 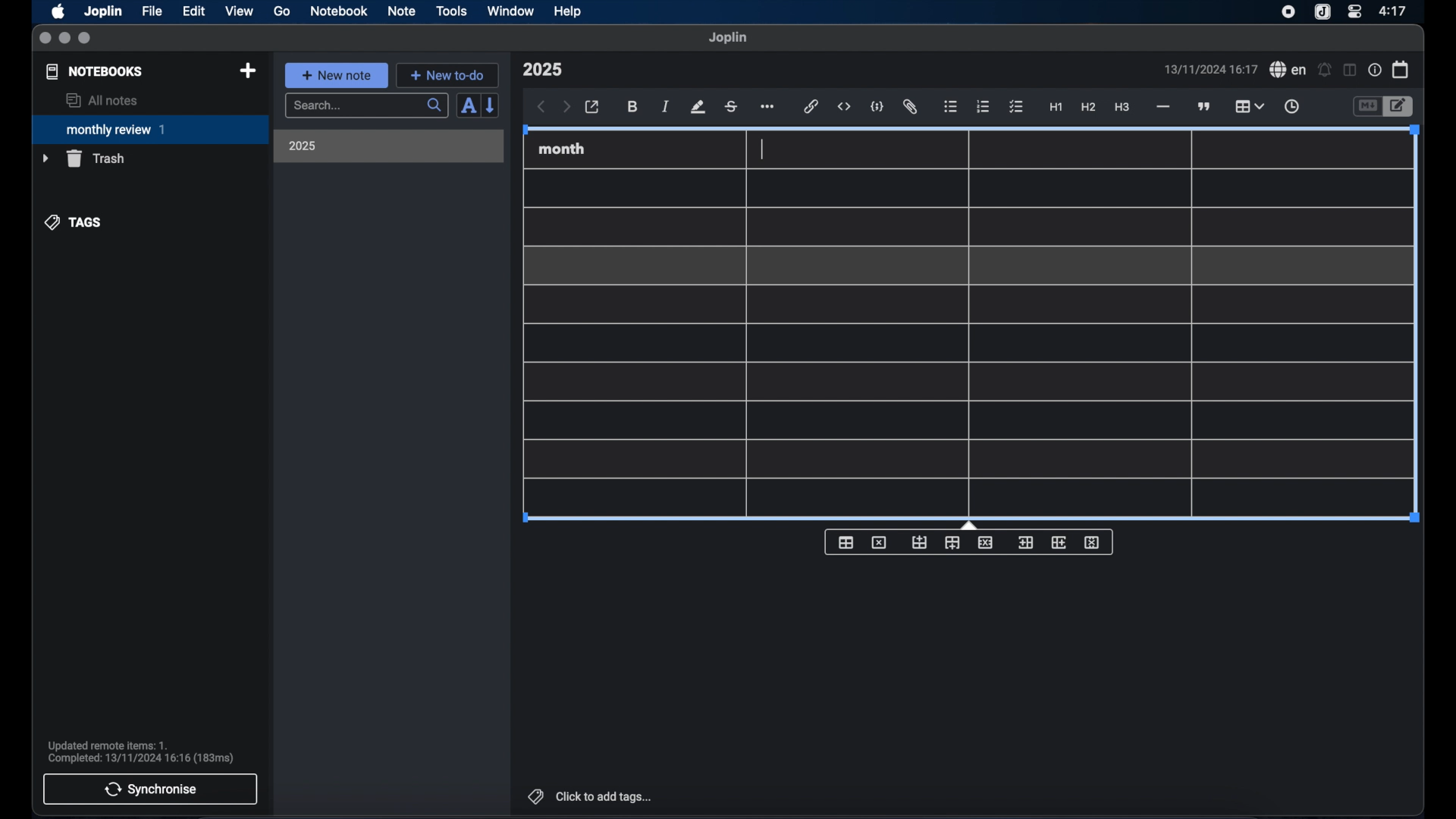 I want to click on open in external editor, so click(x=593, y=108).